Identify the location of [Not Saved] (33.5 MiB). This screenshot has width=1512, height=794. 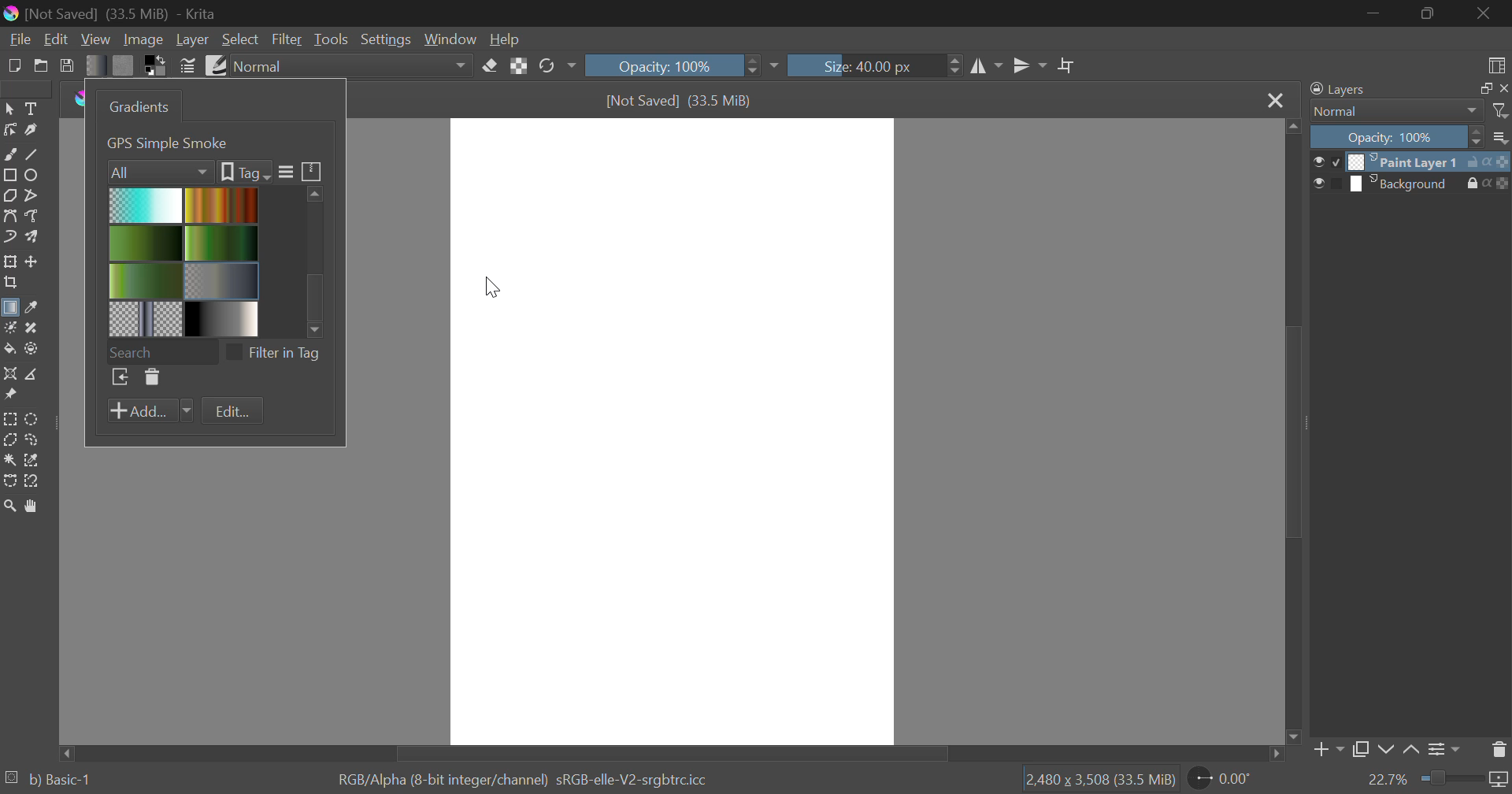
(680, 101).